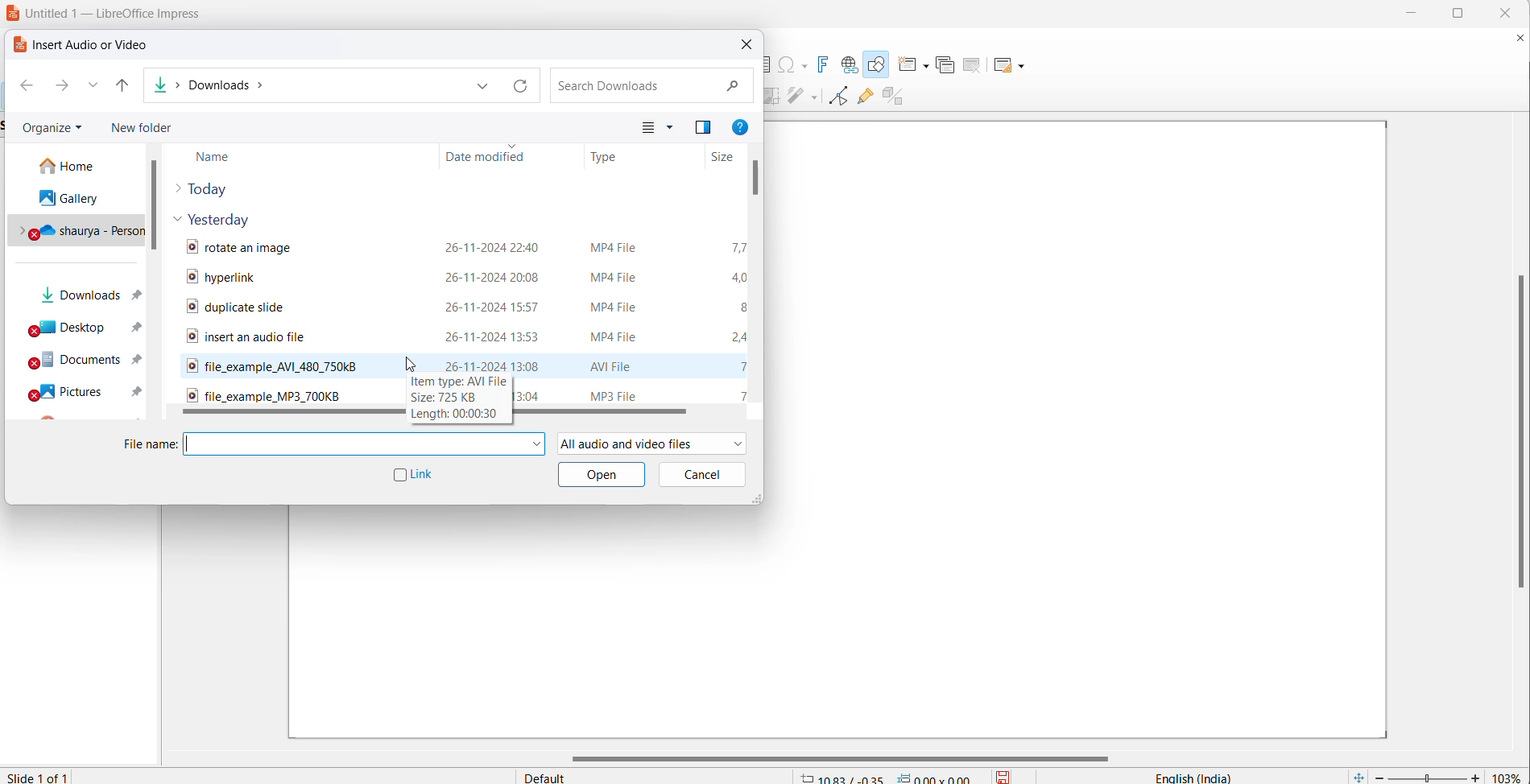  I want to click on change your view more options, so click(670, 129).